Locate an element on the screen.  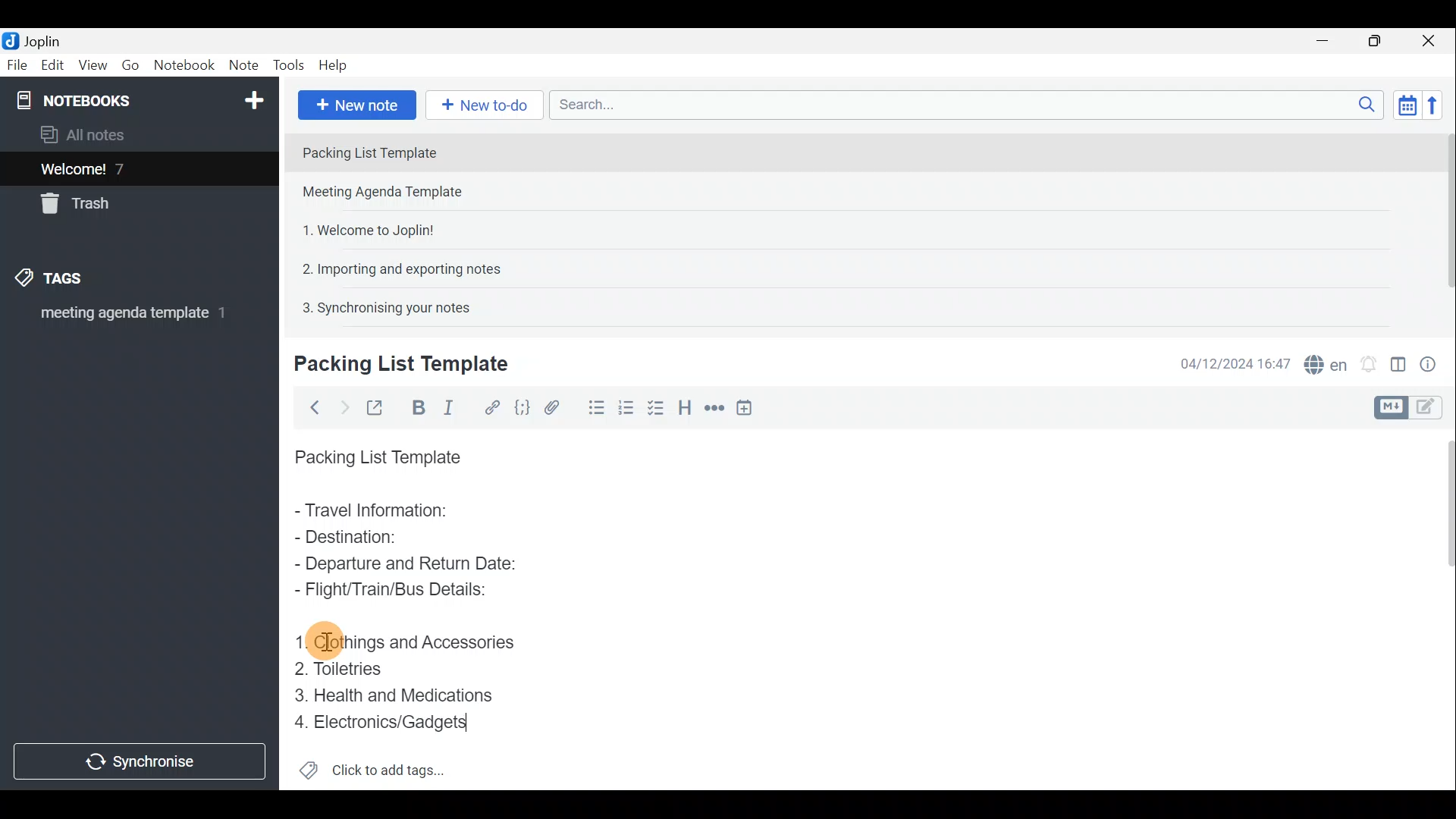
New to-do is located at coordinates (485, 105).